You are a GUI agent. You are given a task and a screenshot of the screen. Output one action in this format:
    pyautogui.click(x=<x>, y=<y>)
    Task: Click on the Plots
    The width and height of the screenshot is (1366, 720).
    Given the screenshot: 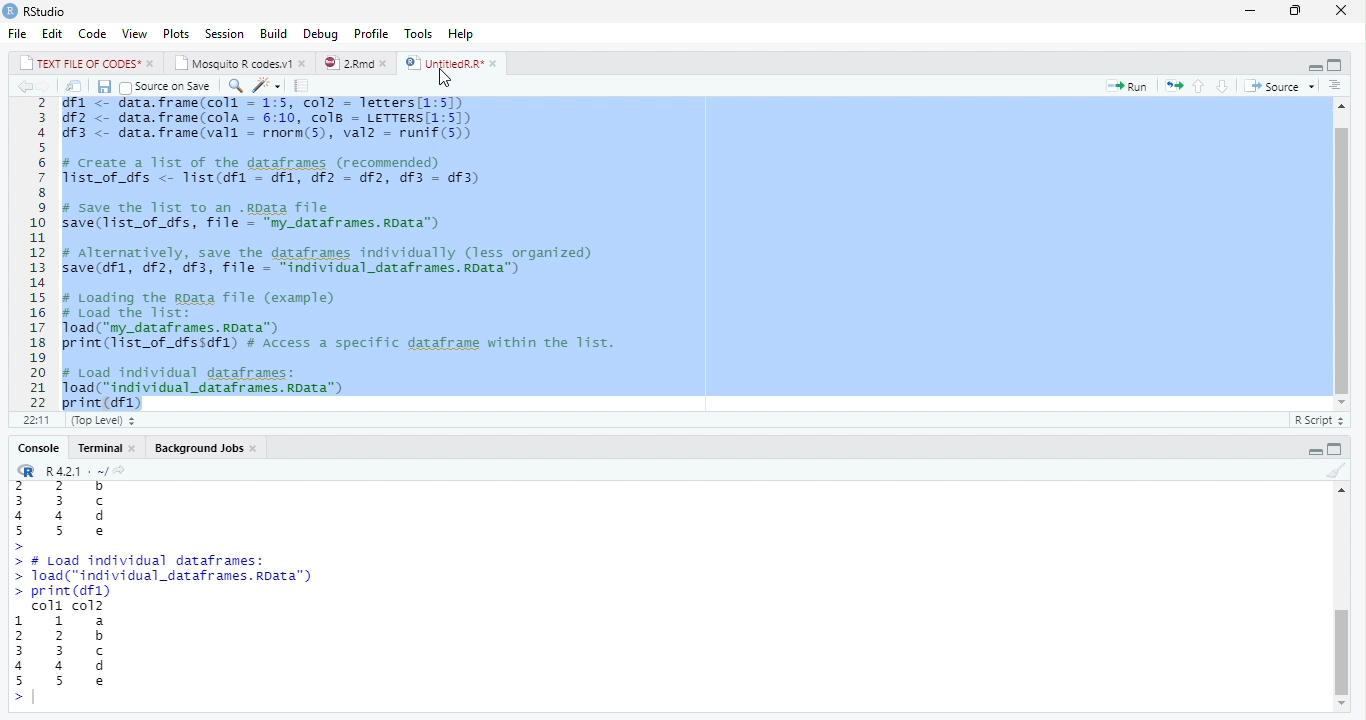 What is the action you would take?
    pyautogui.click(x=176, y=33)
    